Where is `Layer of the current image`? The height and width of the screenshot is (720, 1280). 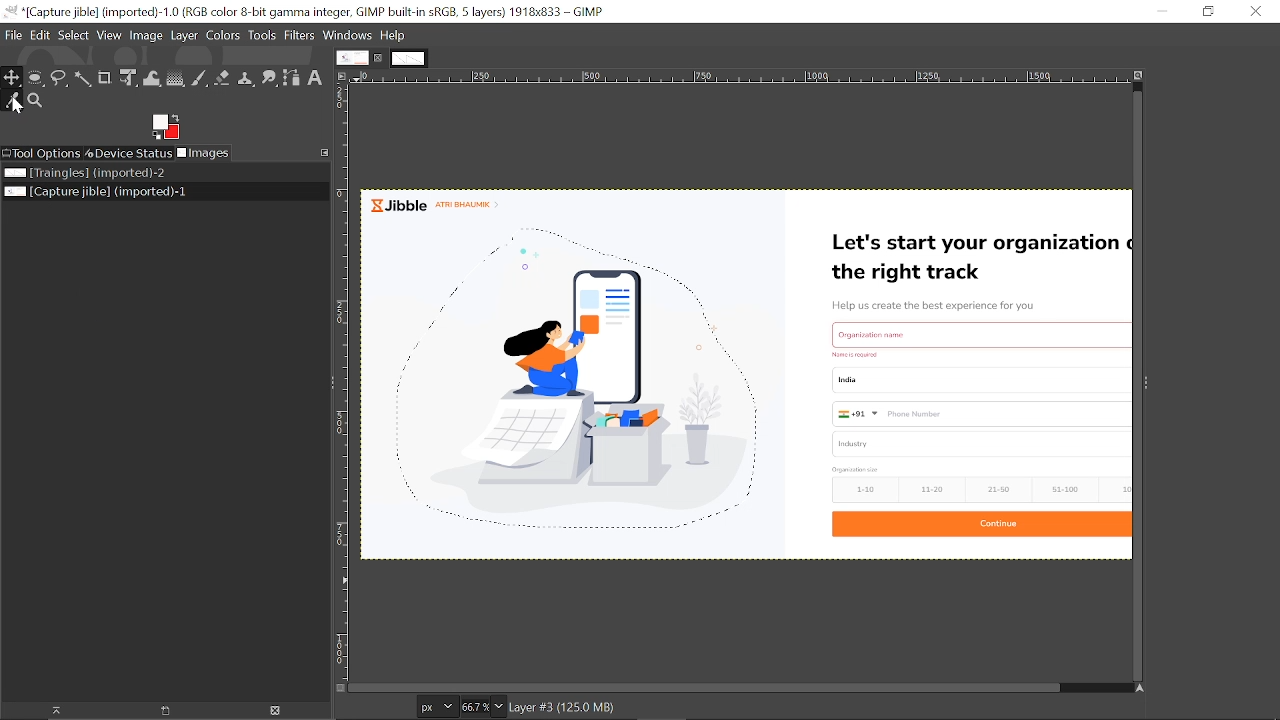 Layer of the current image is located at coordinates (562, 708).